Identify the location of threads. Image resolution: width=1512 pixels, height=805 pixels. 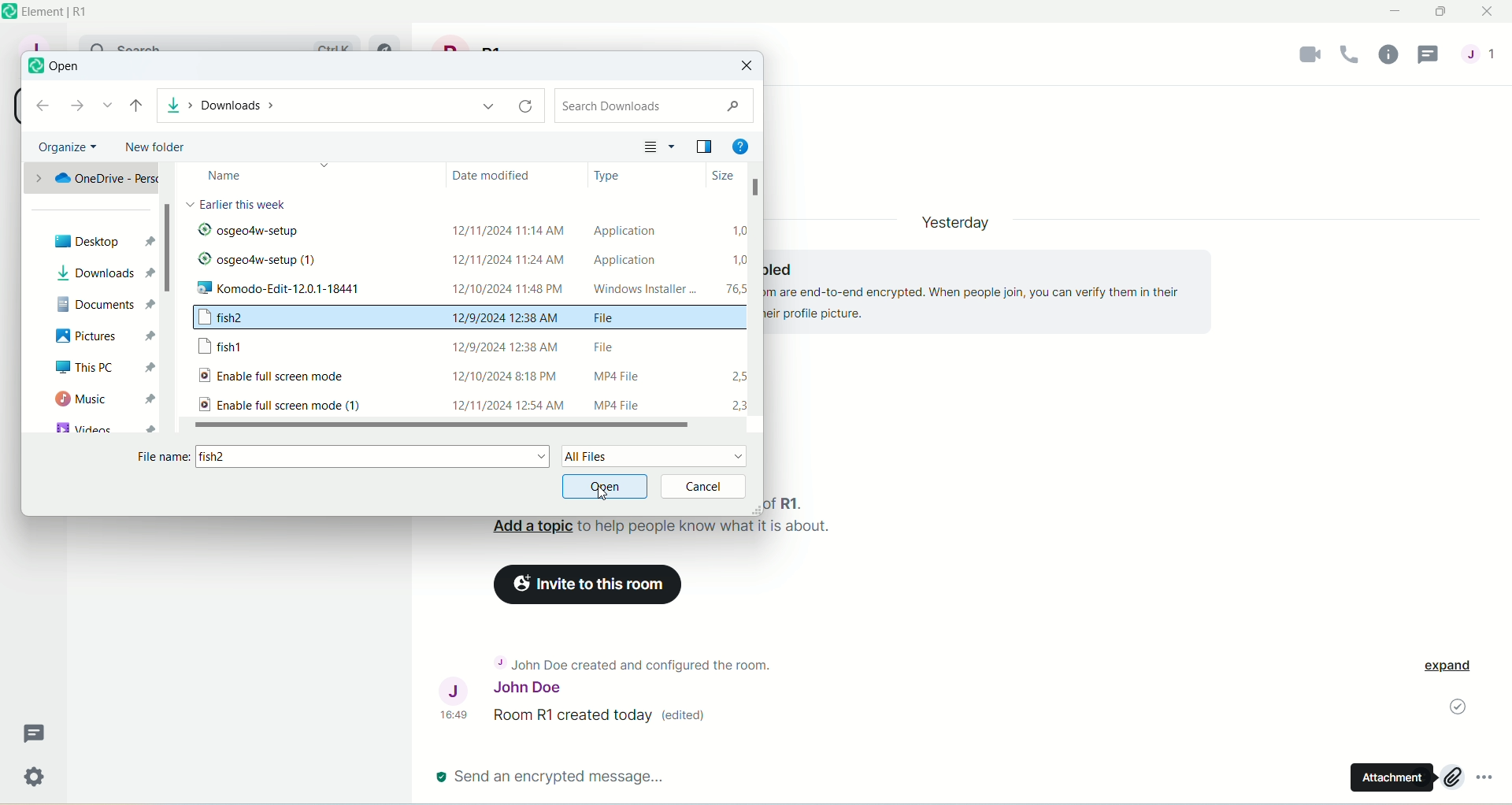
(1432, 54).